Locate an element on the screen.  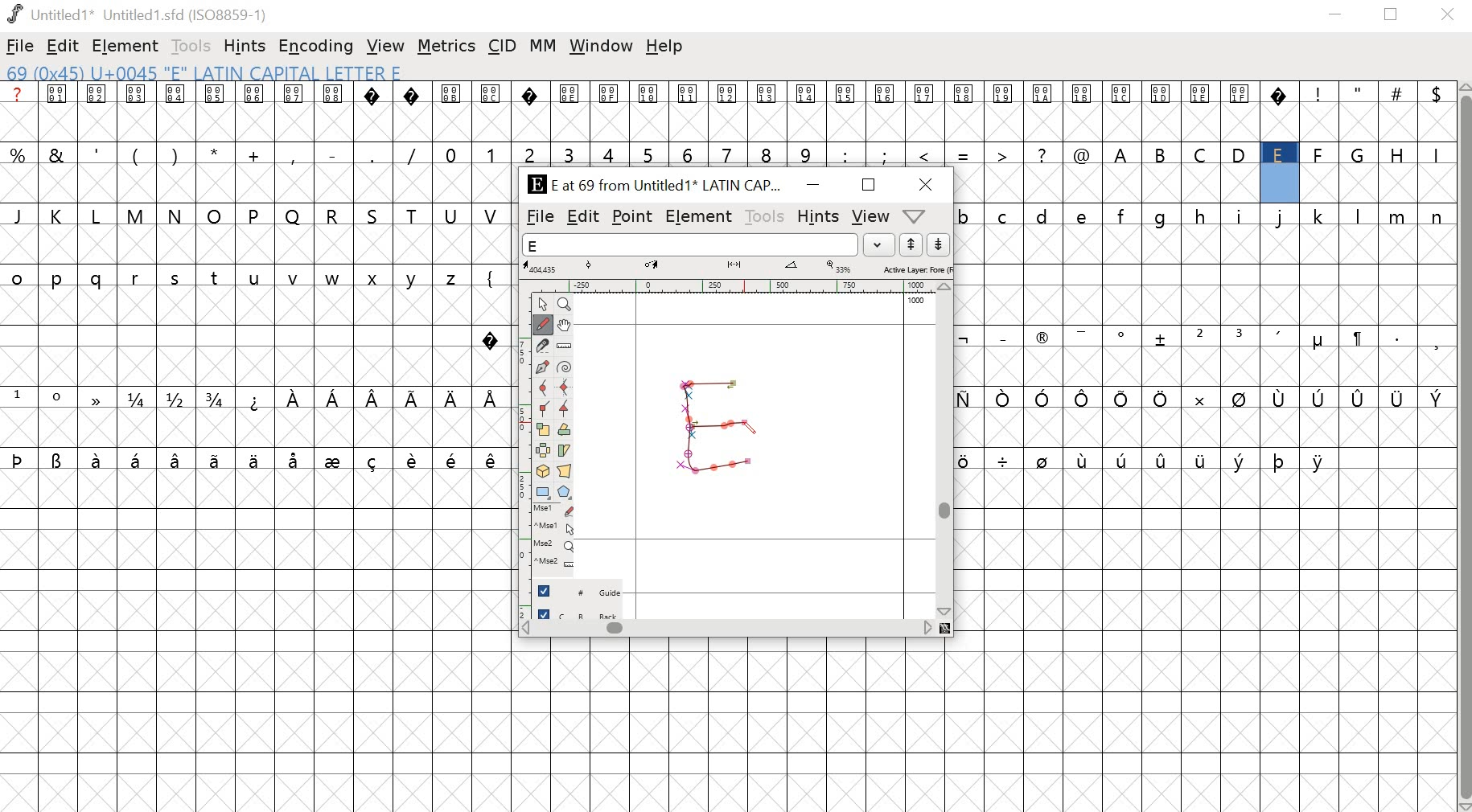
special characters is located at coordinates (1024, 397).